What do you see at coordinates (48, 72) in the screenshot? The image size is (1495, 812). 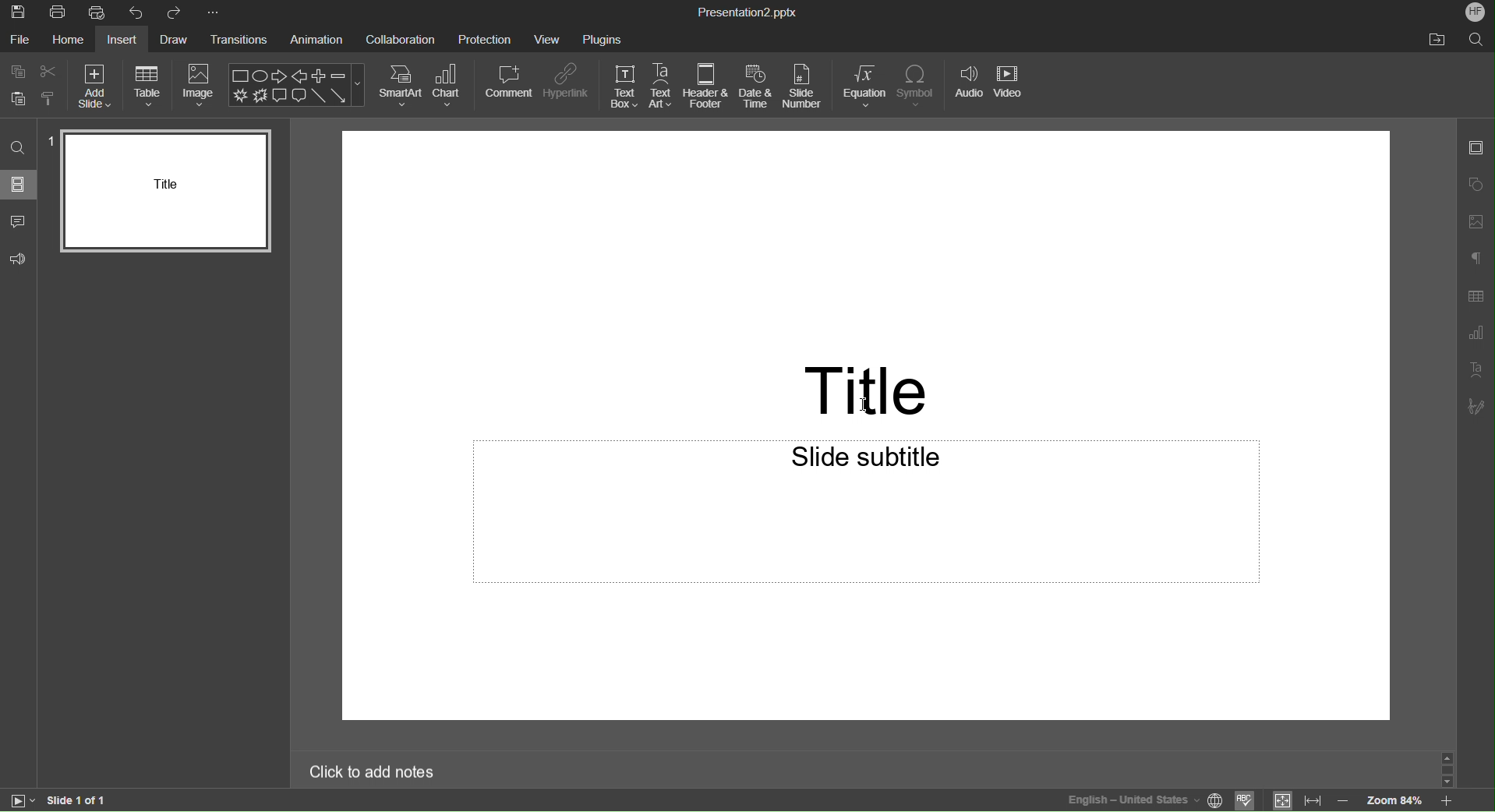 I see `cut` at bounding box center [48, 72].